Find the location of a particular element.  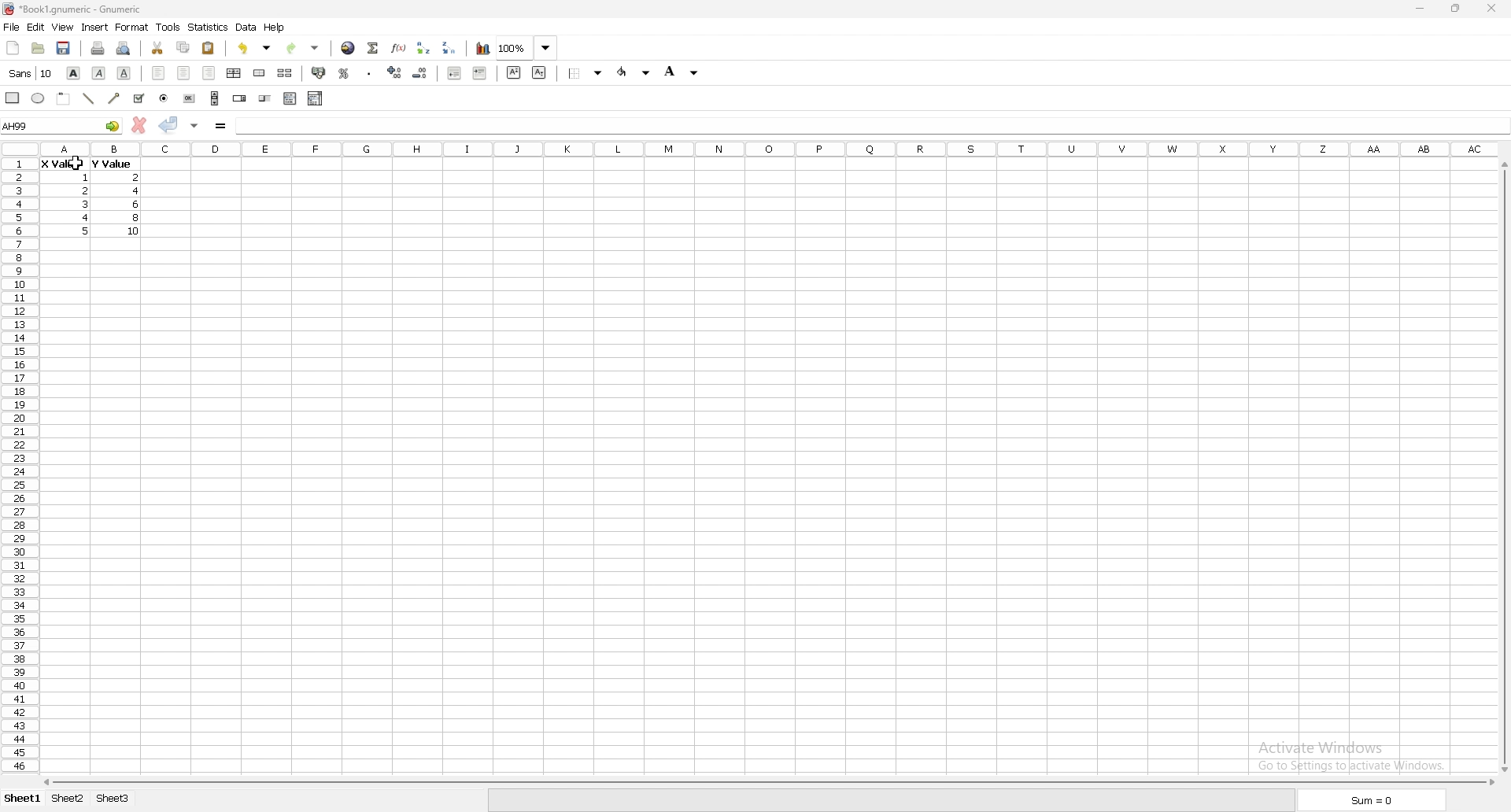

value is located at coordinates (140, 191).